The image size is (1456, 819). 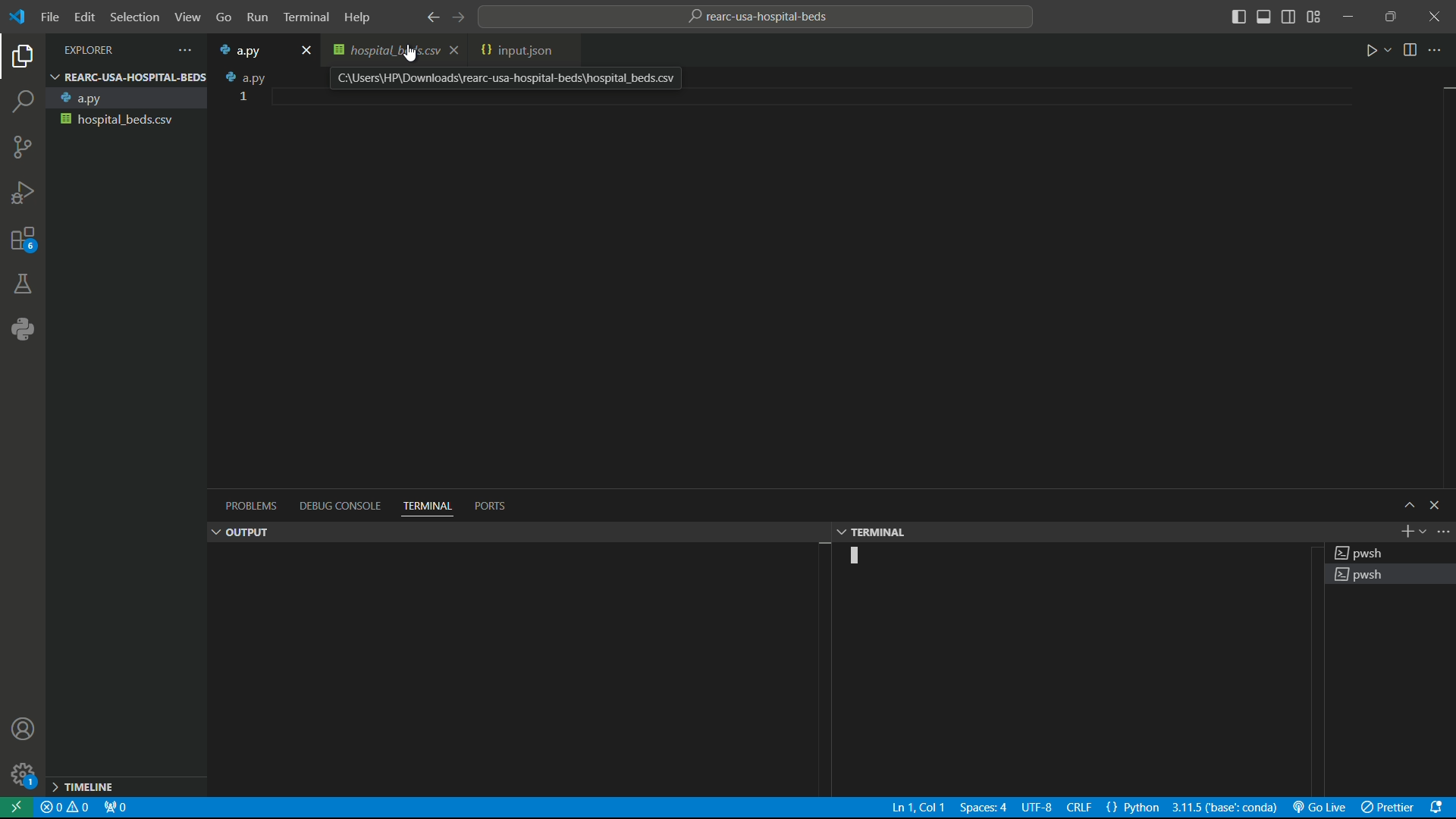 I want to click on logo, so click(x=20, y=18).